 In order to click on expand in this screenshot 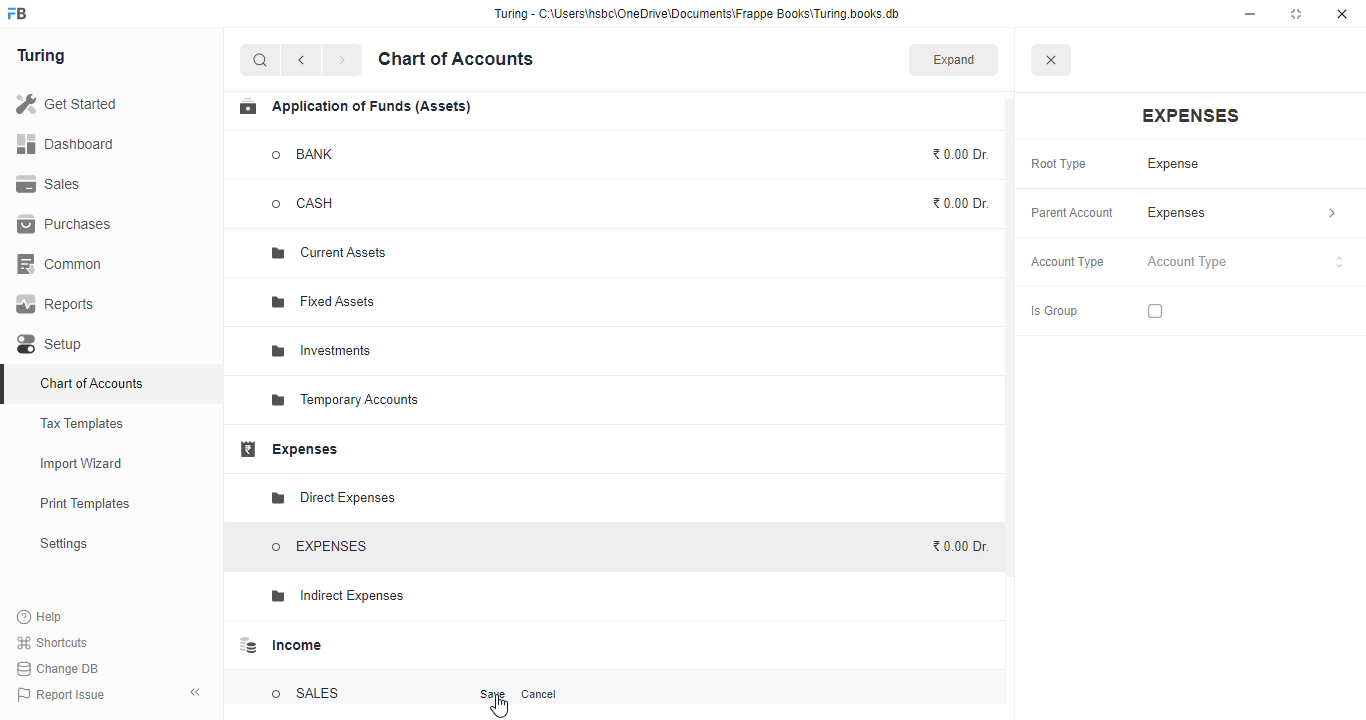, I will do `click(954, 59)`.